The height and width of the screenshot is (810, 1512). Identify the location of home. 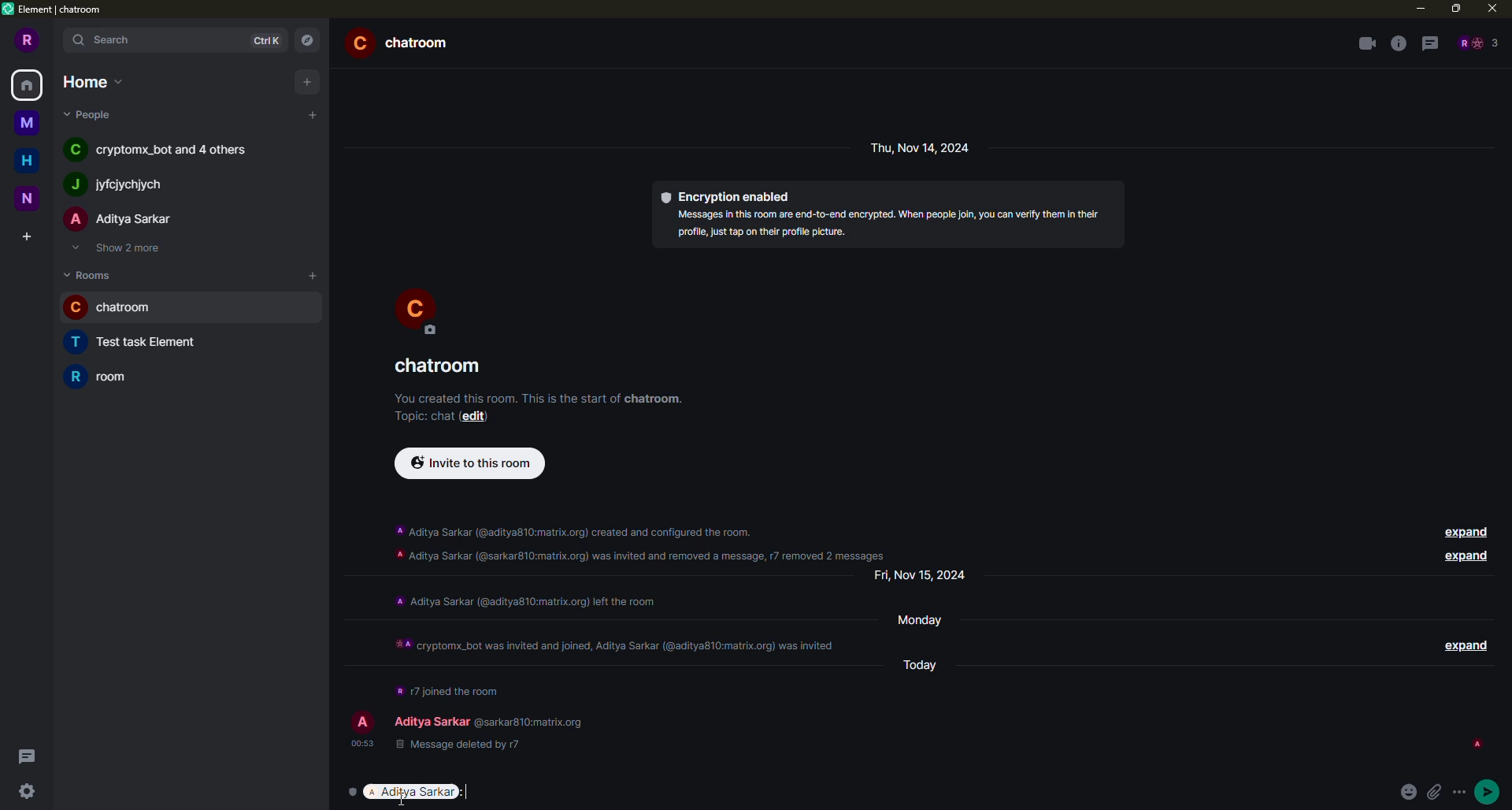
(28, 84).